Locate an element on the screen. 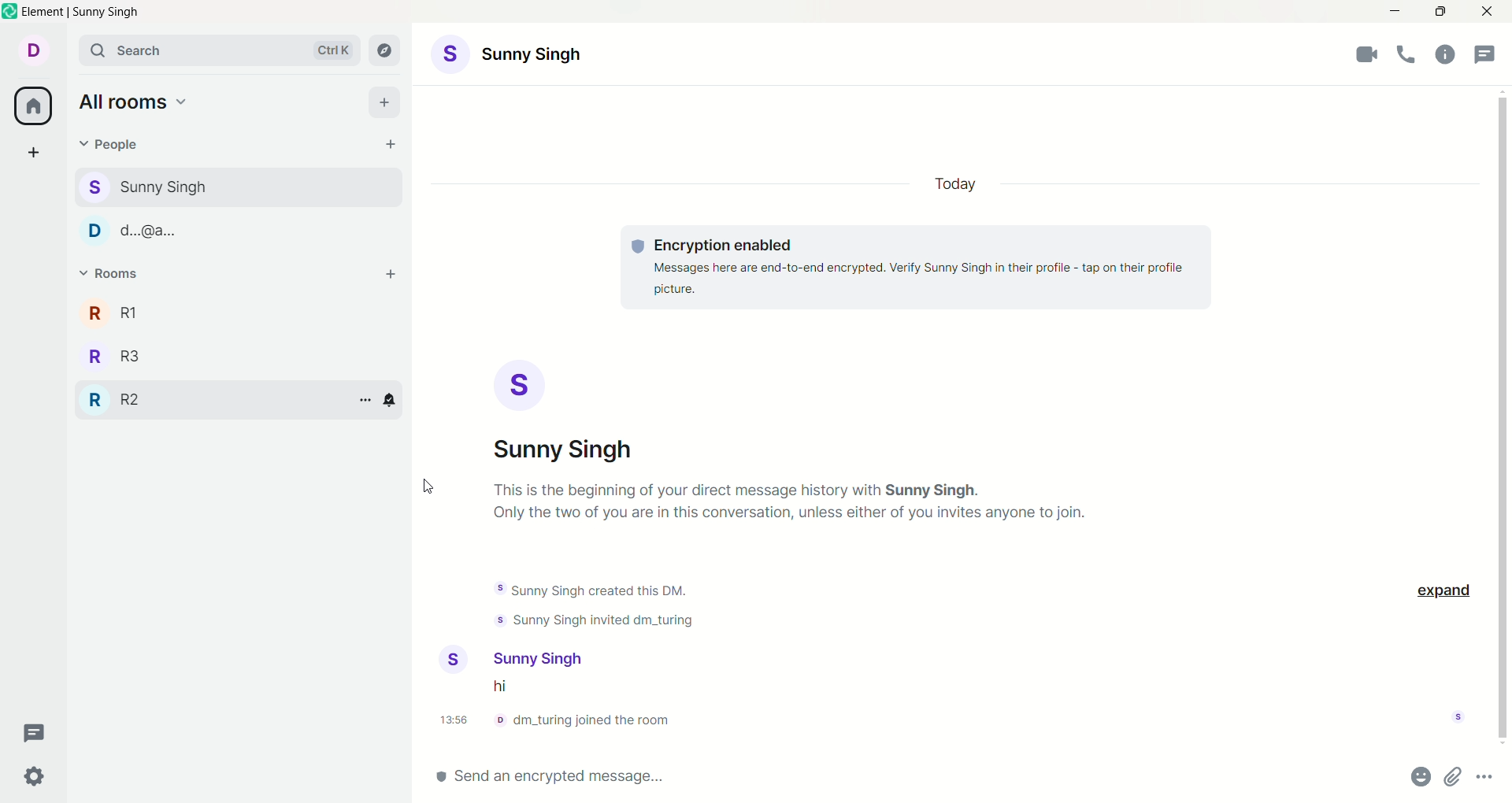 The height and width of the screenshot is (803, 1512). voice call is located at coordinates (1409, 56).